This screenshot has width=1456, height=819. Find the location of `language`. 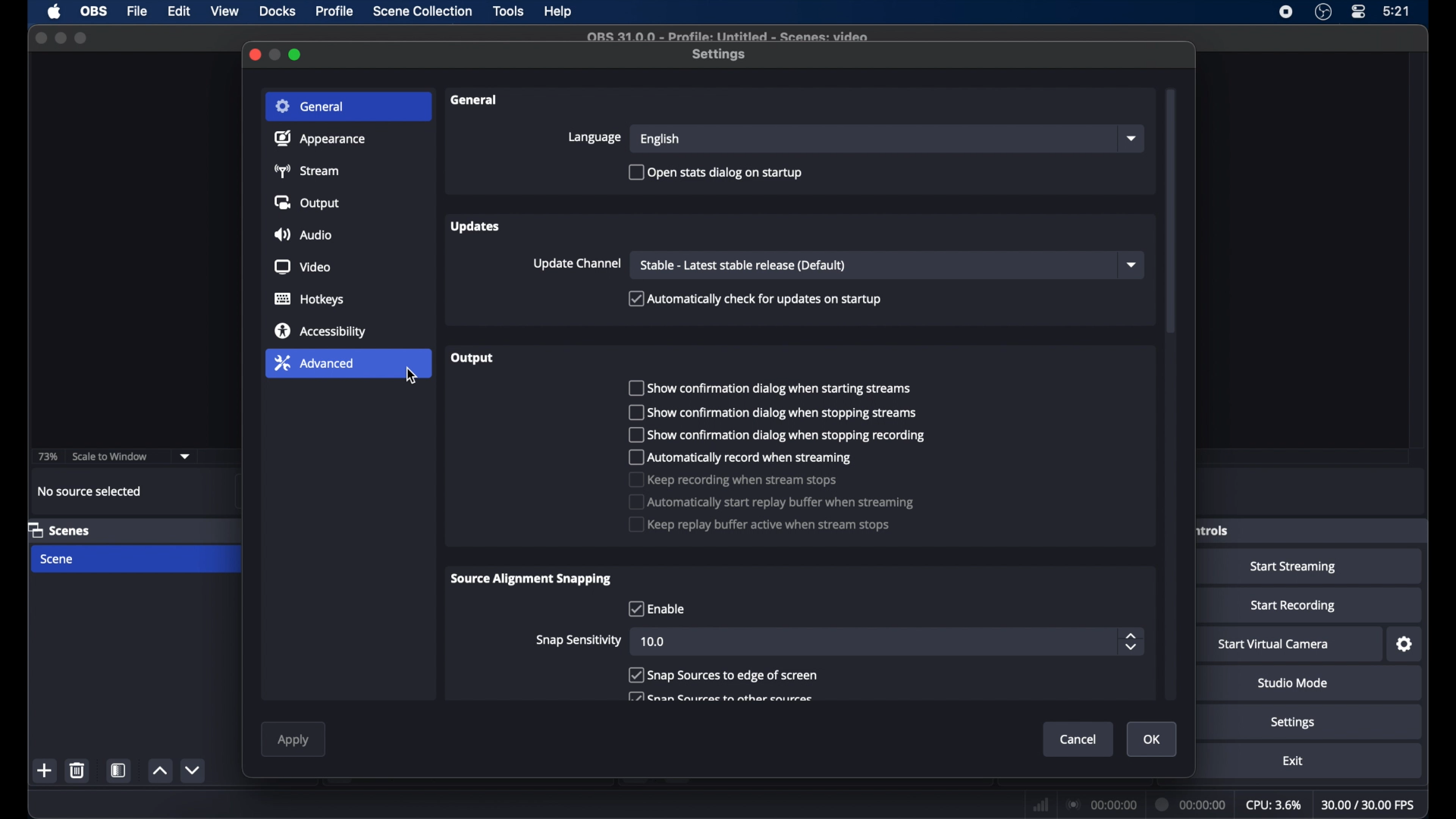

language is located at coordinates (595, 137).